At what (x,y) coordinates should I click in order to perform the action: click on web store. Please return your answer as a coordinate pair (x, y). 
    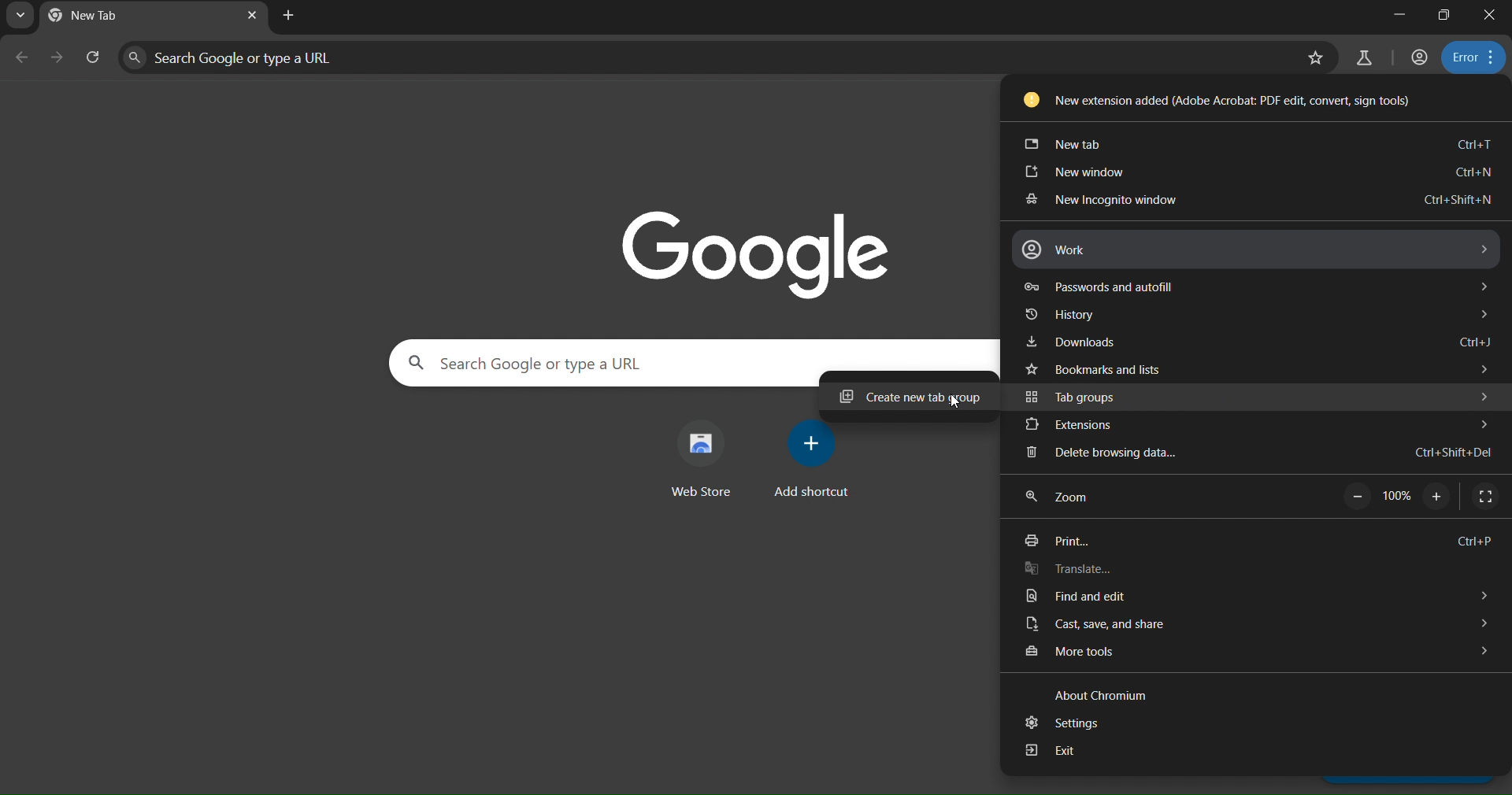
    Looking at the image, I should click on (703, 457).